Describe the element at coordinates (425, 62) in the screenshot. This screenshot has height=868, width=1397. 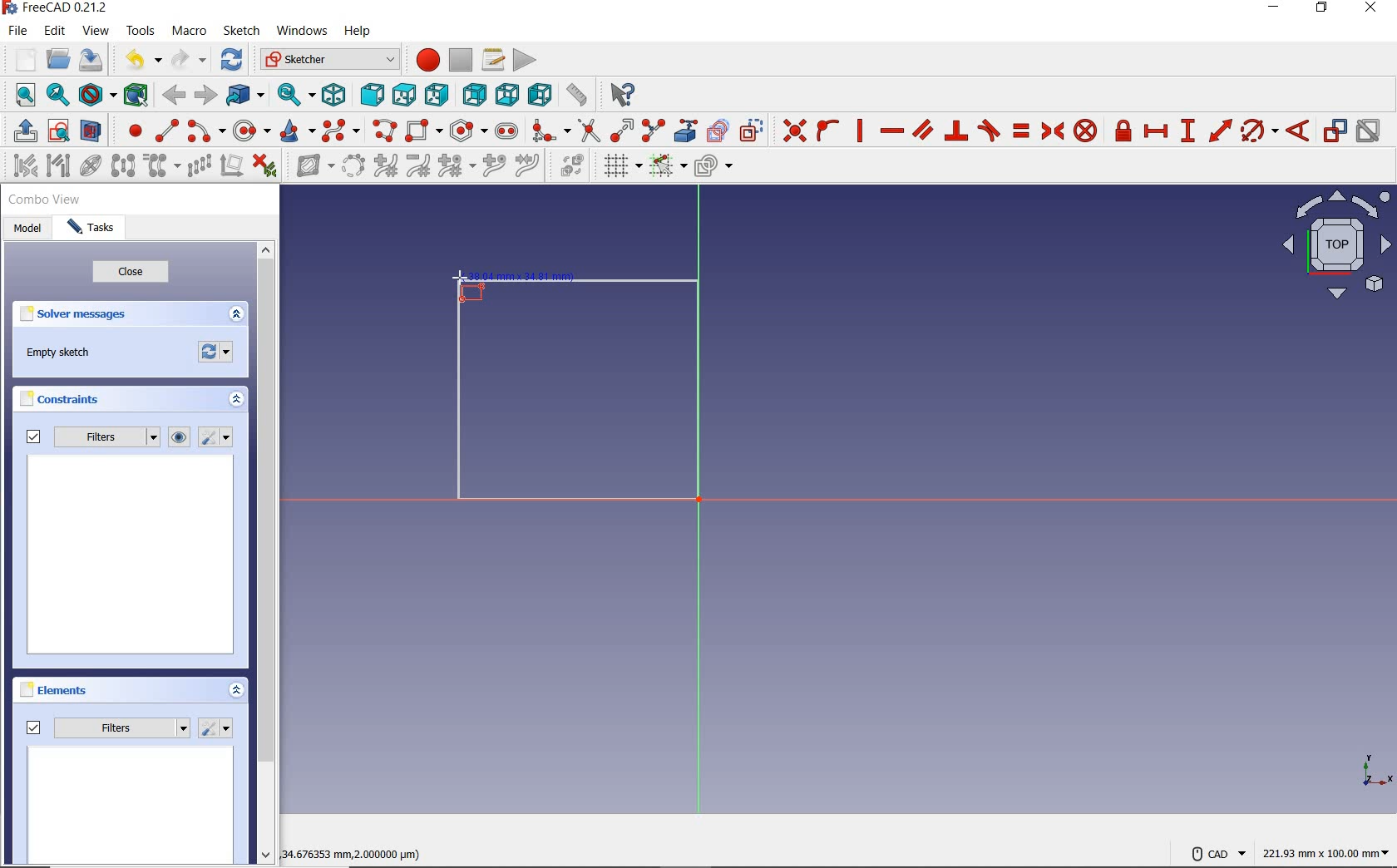
I see `macro recording` at that location.